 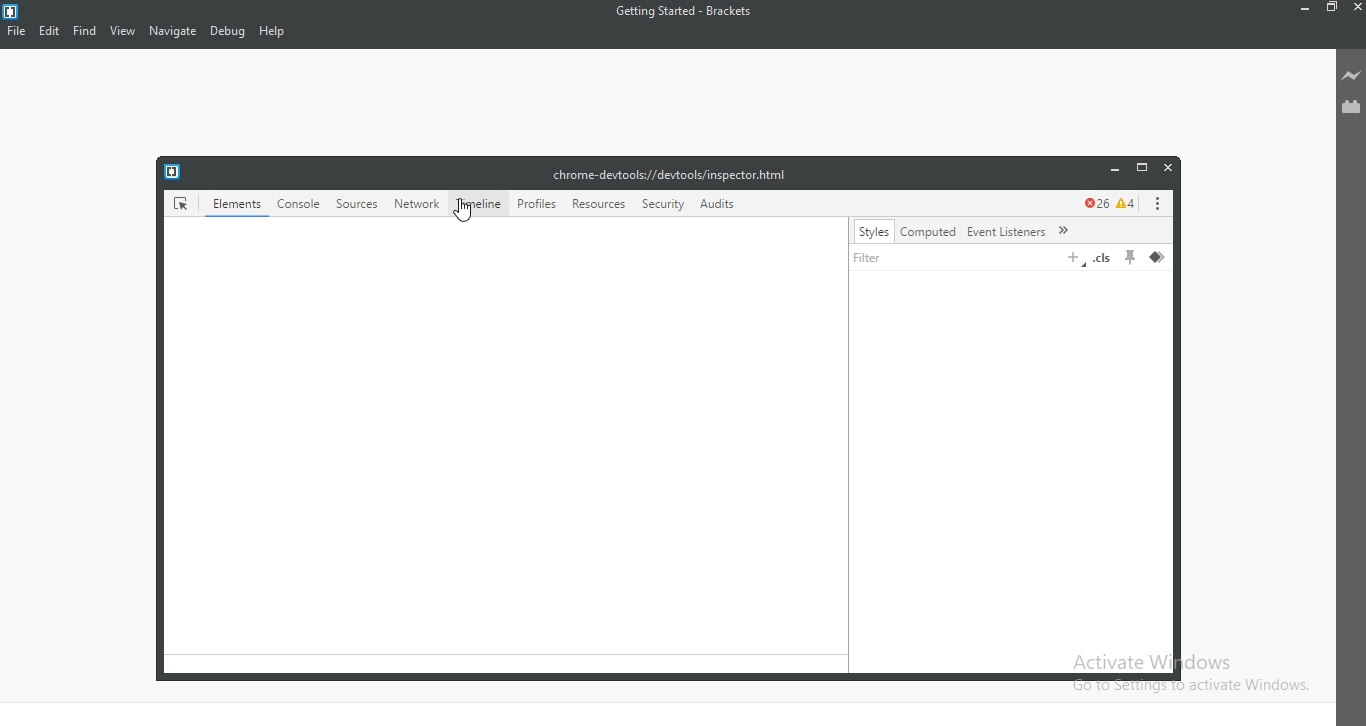 What do you see at coordinates (1167, 169) in the screenshot?
I see `close` at bounding box center [1167, 169].